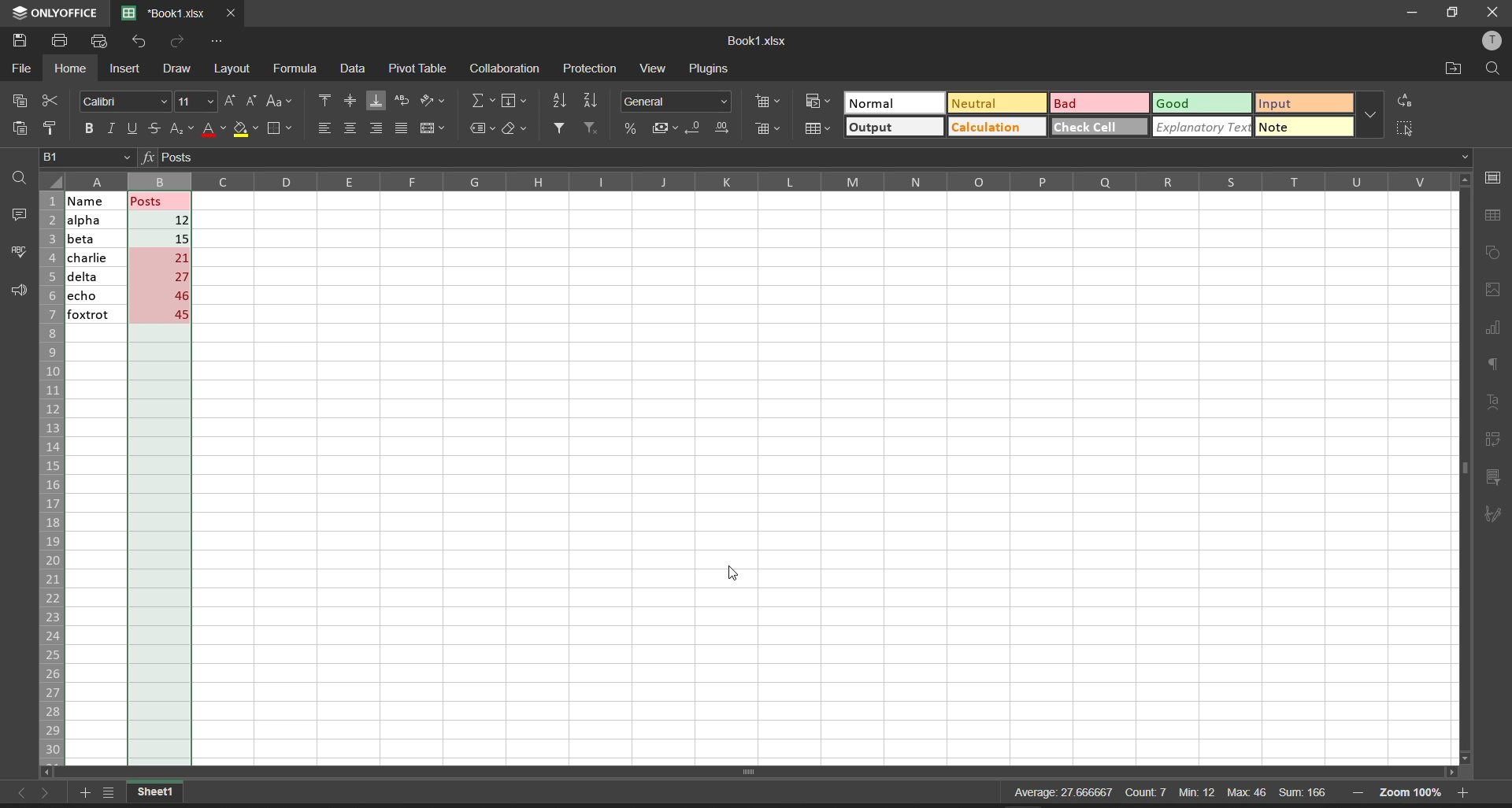 This screenshot has height=808, width=1512. I want to click on support and feedback, so click(20, 291).